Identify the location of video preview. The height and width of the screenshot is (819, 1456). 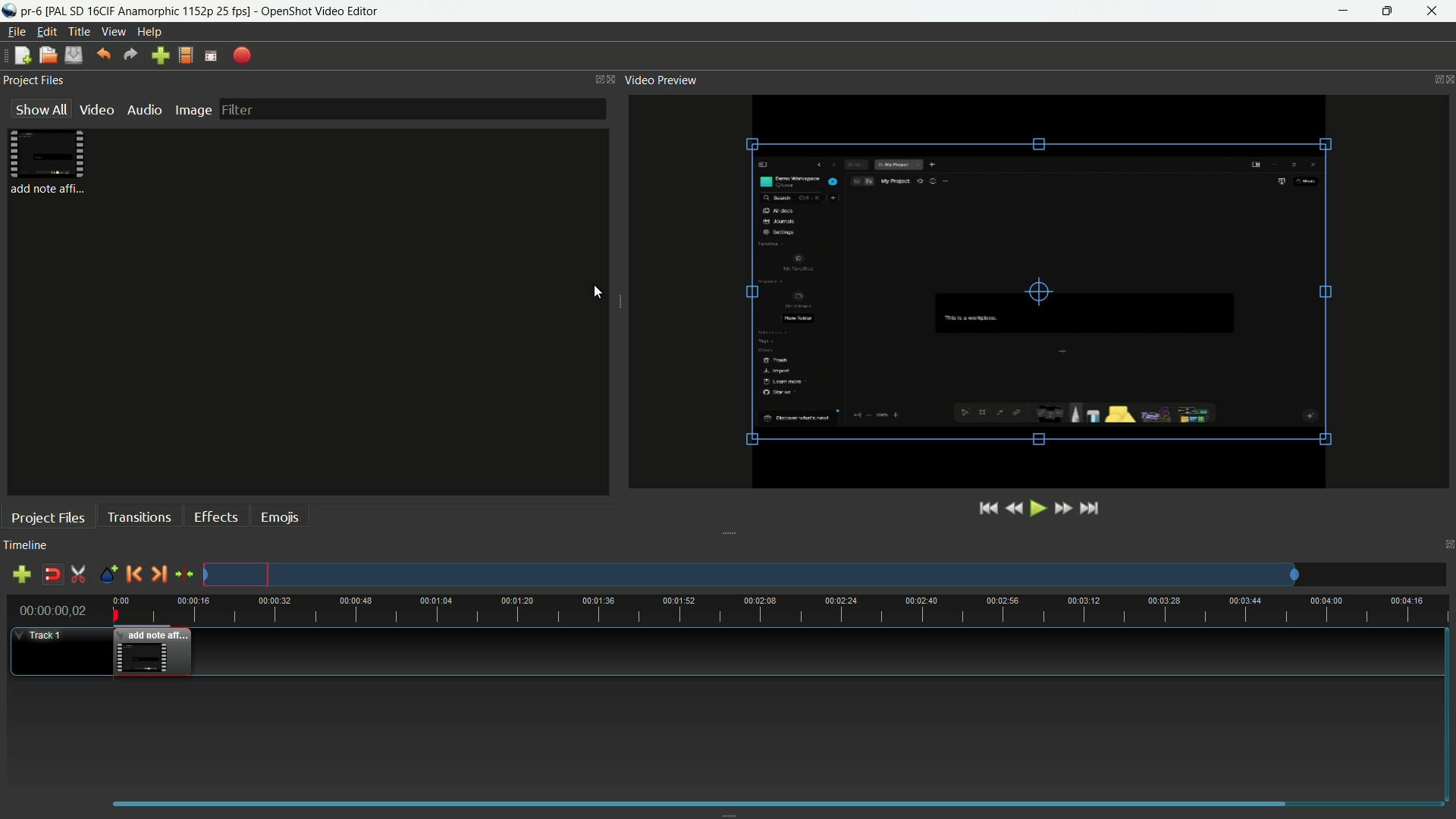
(1039, 290).